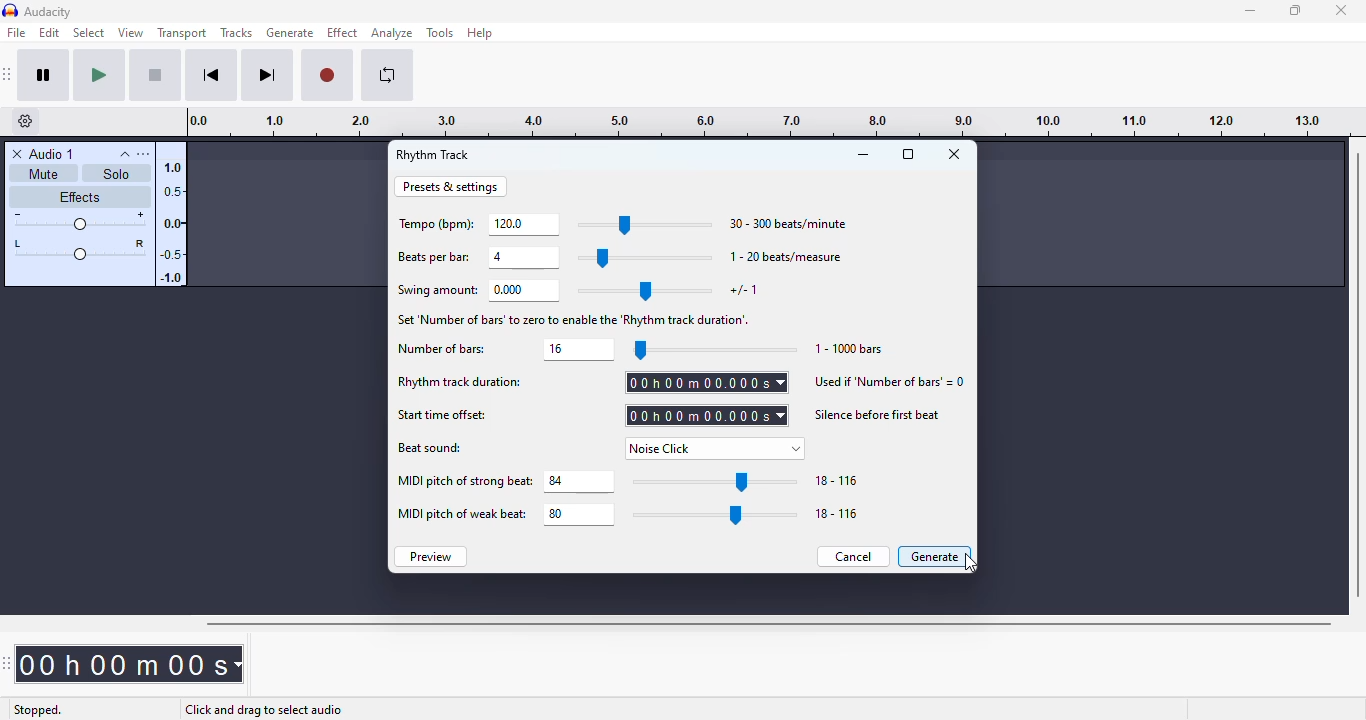 The height and width of the screenshot is (720, 1366). I want to click on click and drag to select audio, so click(264, 709).